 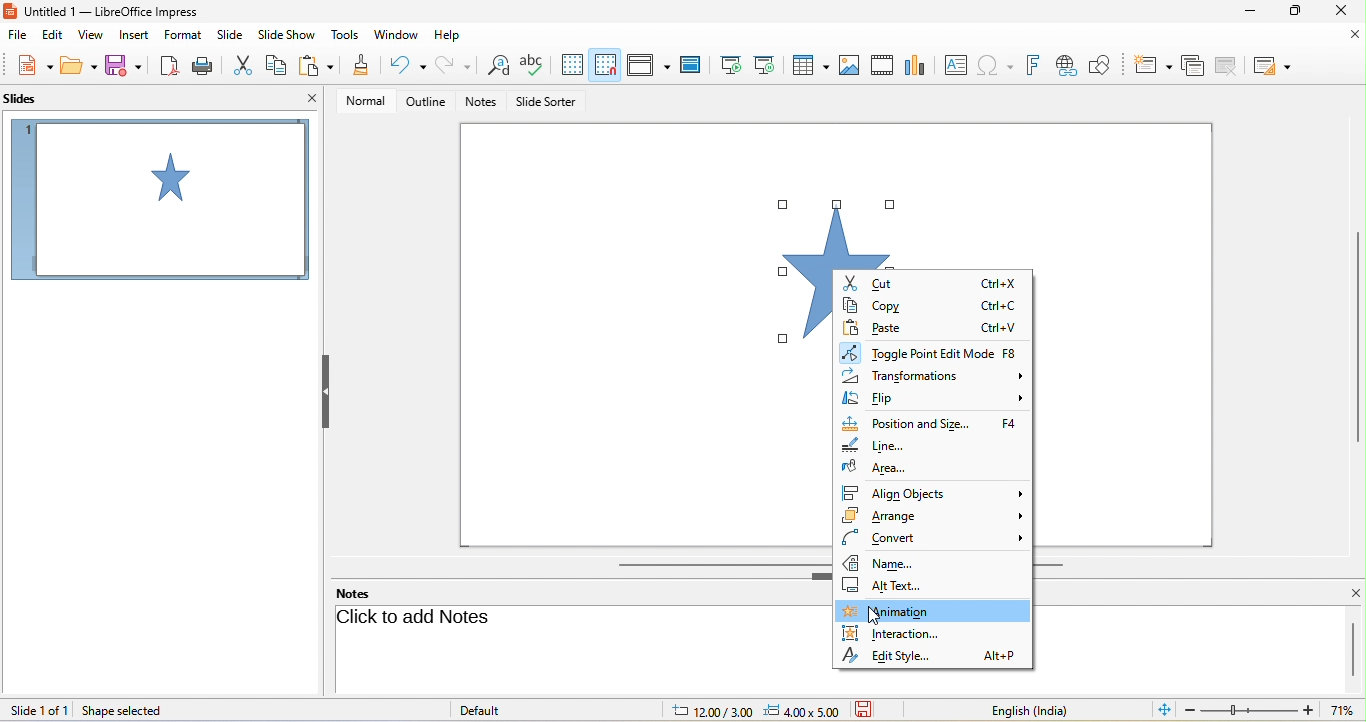 What do you see at coordinates (18, 36) in the screenshot?
I see `file` at bounding box center [18, 36].